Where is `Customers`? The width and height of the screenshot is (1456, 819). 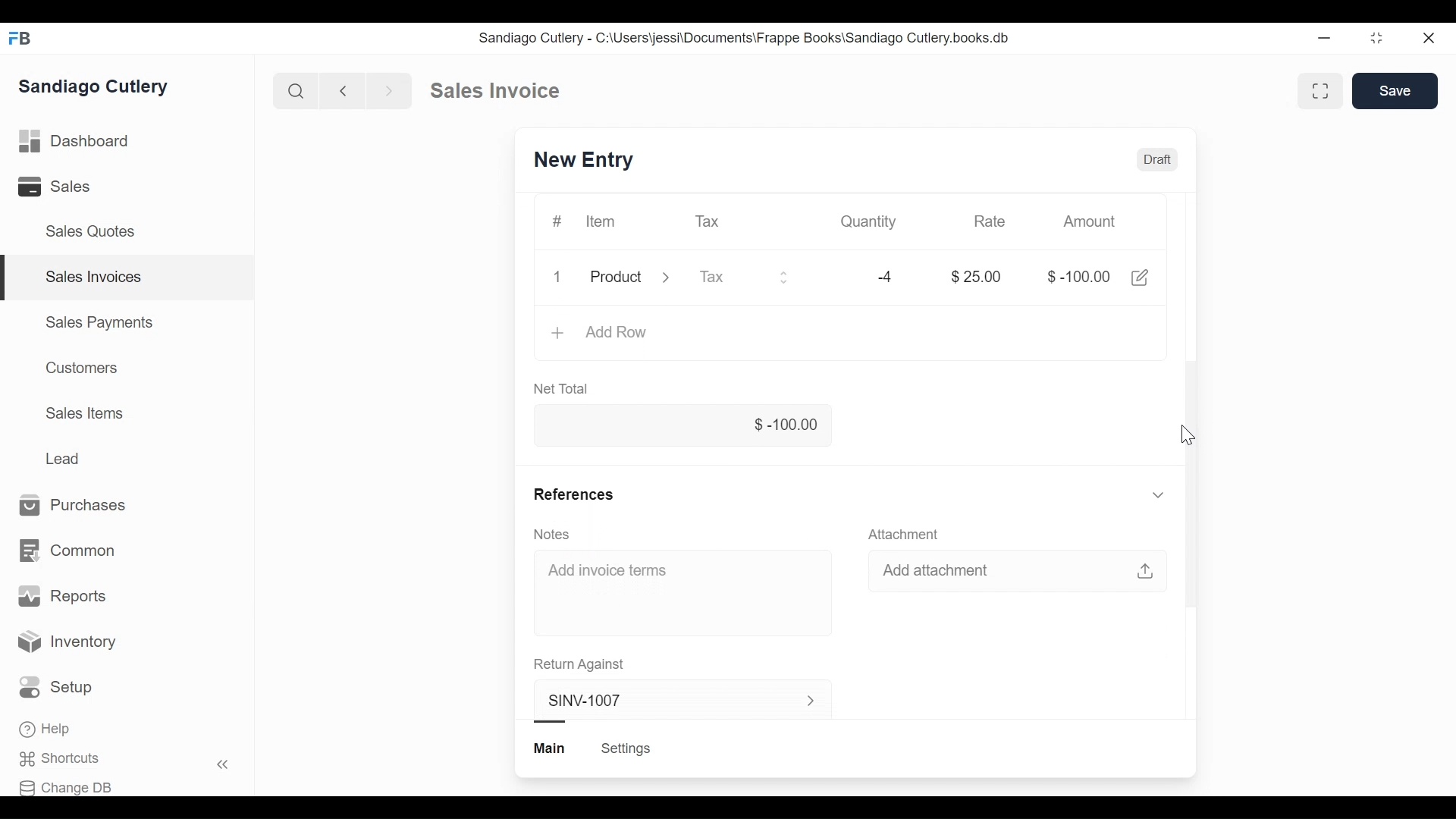 Customers is located at coordinates (83, 367).